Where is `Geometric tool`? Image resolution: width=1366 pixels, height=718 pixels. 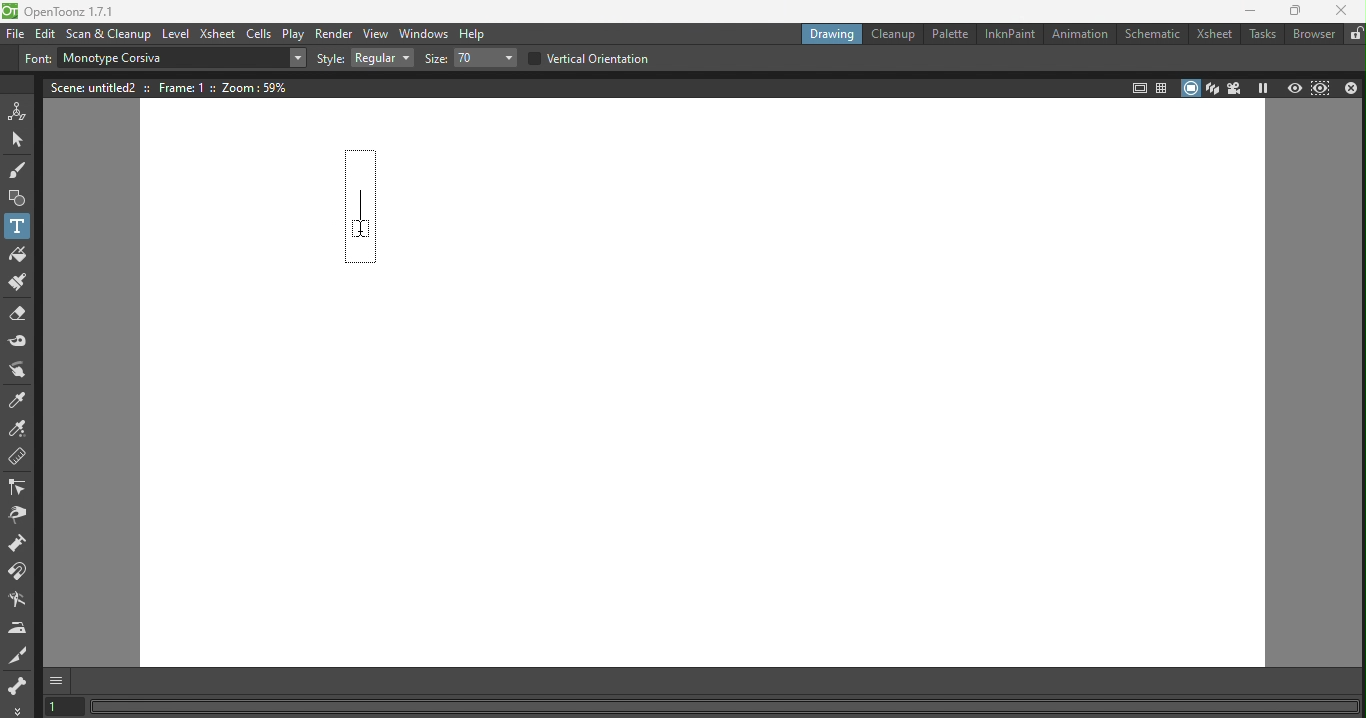 Geometric tool is located at coordinates (17, 198).